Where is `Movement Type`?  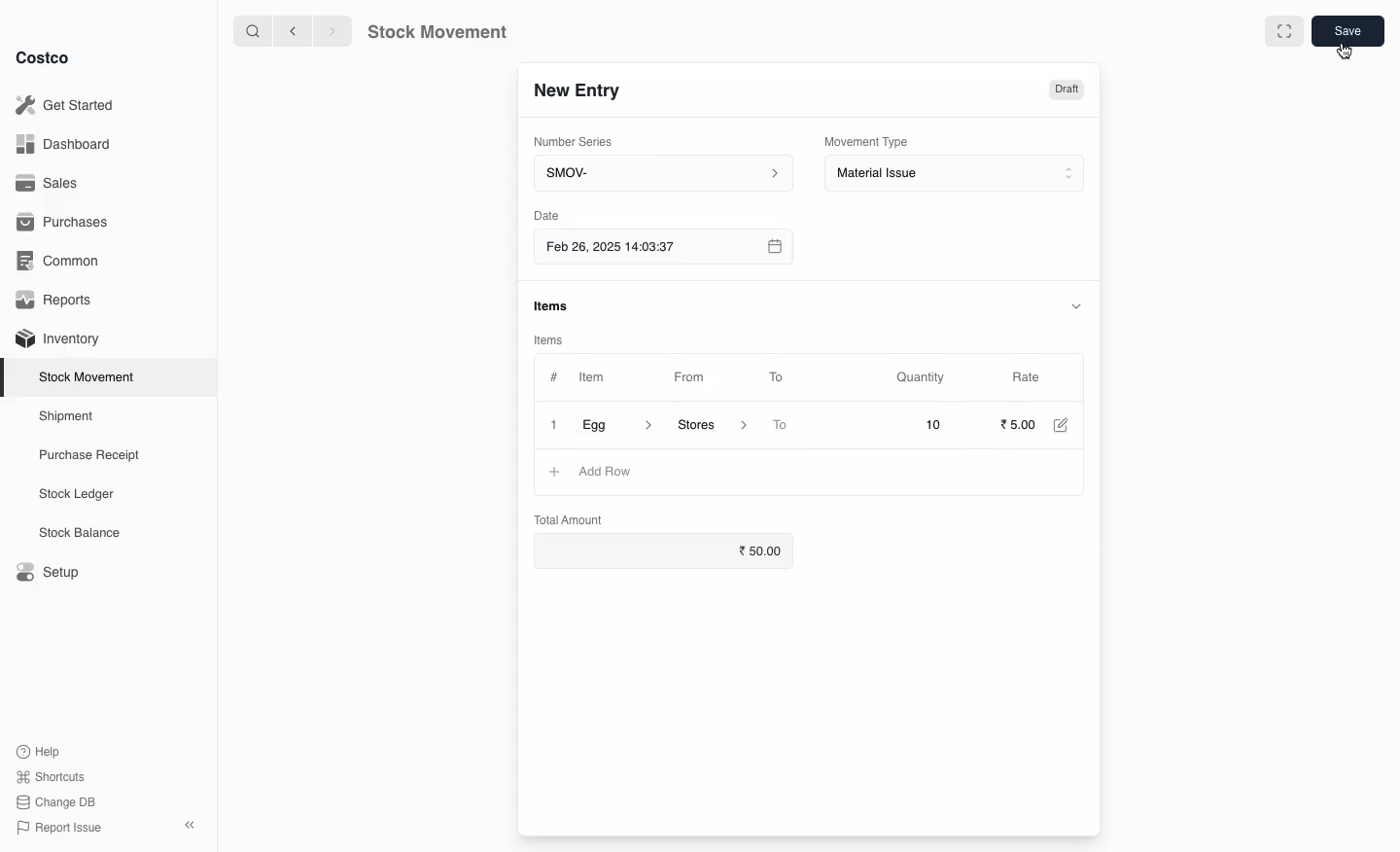
Movement Type is located at coordinates (867, 141).